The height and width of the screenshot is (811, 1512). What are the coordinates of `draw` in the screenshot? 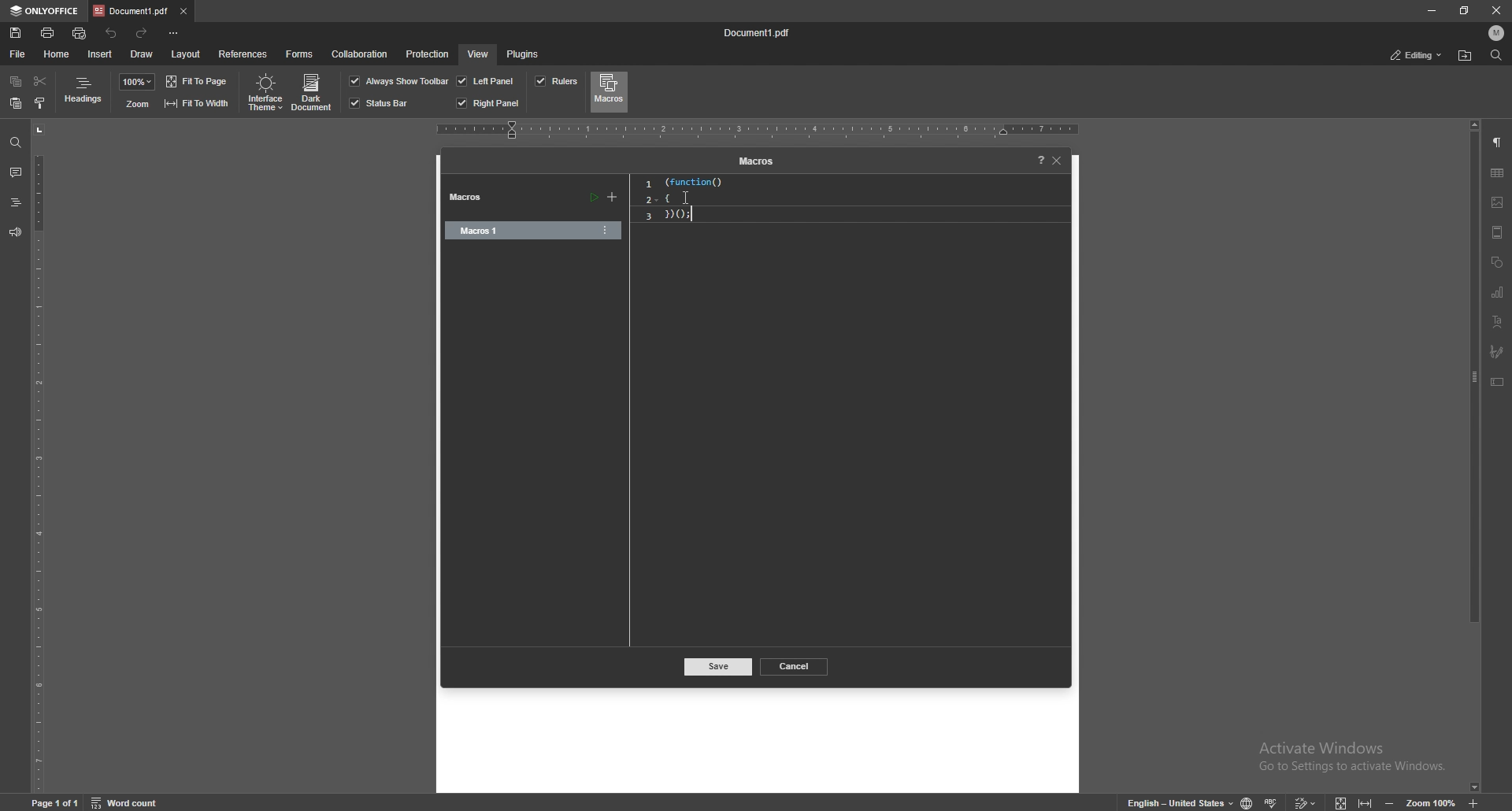 It's located at (143, 53).